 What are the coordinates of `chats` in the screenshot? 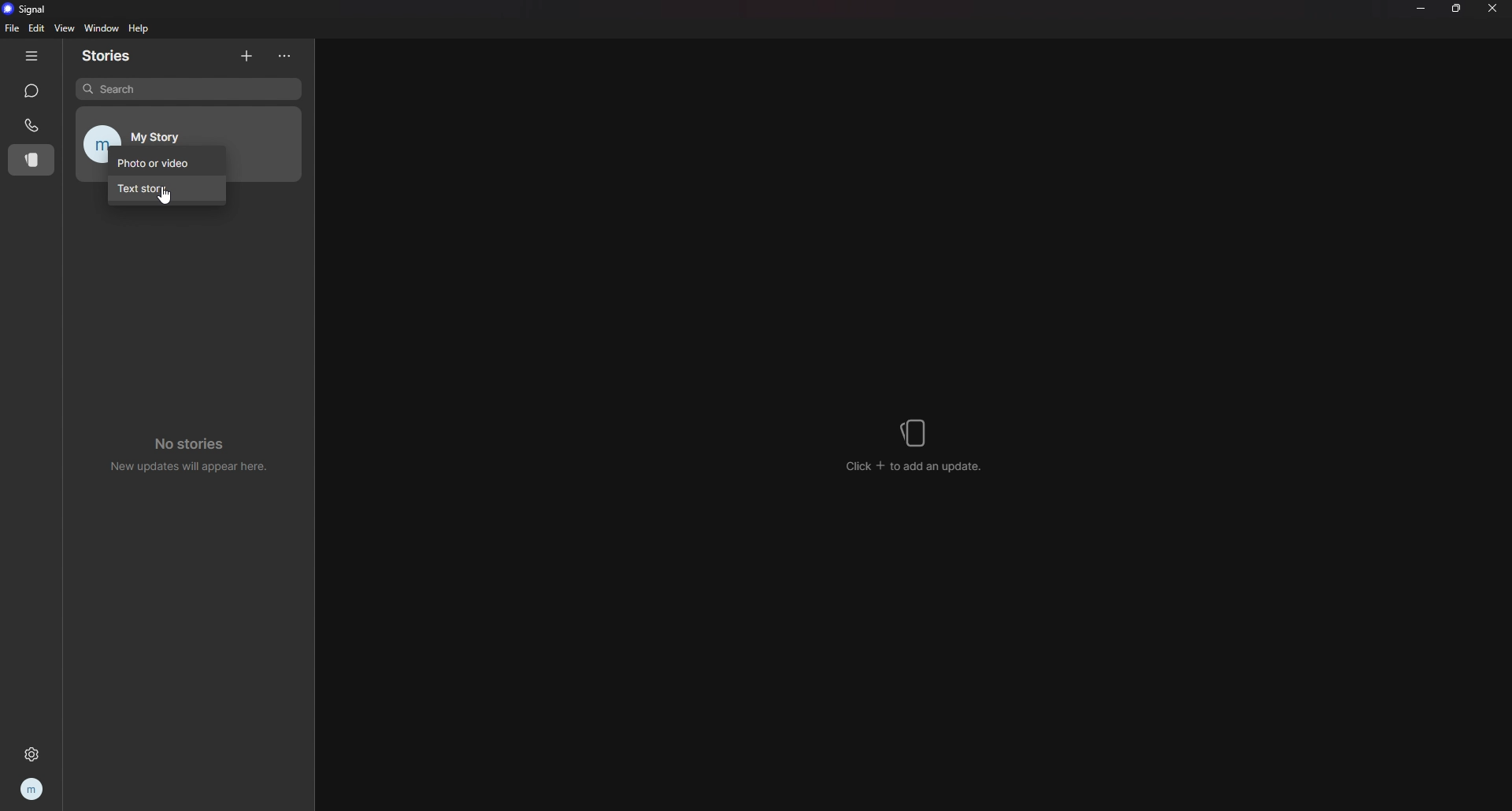 It's located at (33, 91).